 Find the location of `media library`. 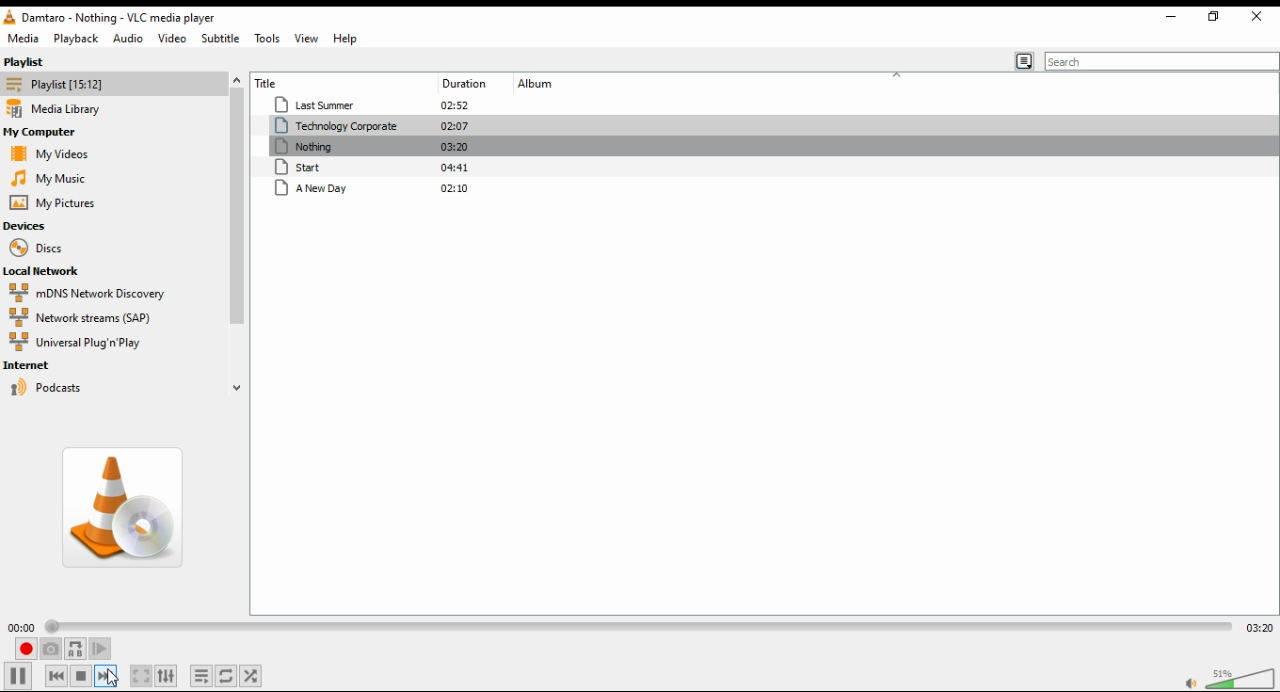

media library is located at coordinates (59, 109).